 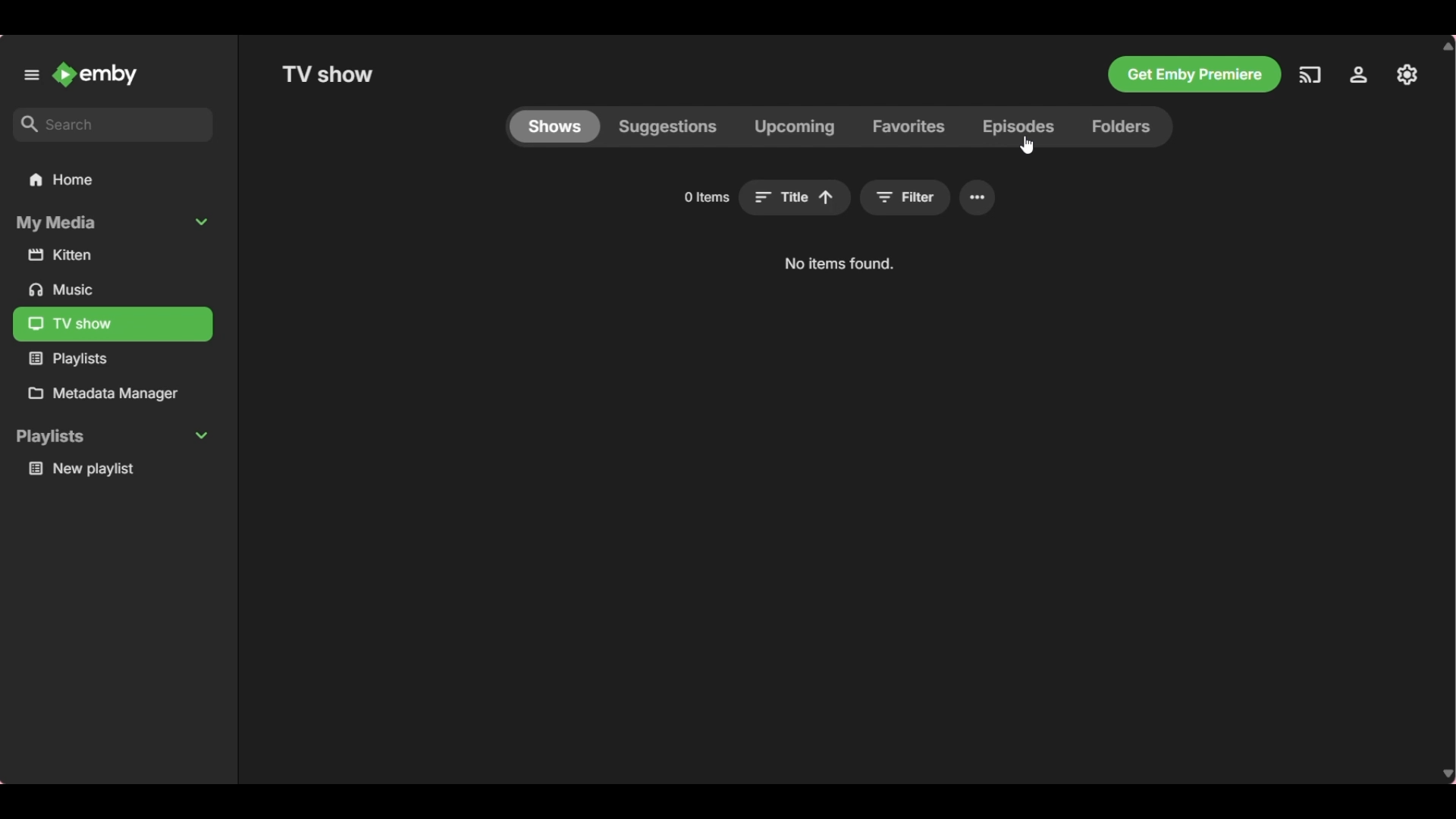 I want to click on Quick slide to top, so click(x=1446, y=46).